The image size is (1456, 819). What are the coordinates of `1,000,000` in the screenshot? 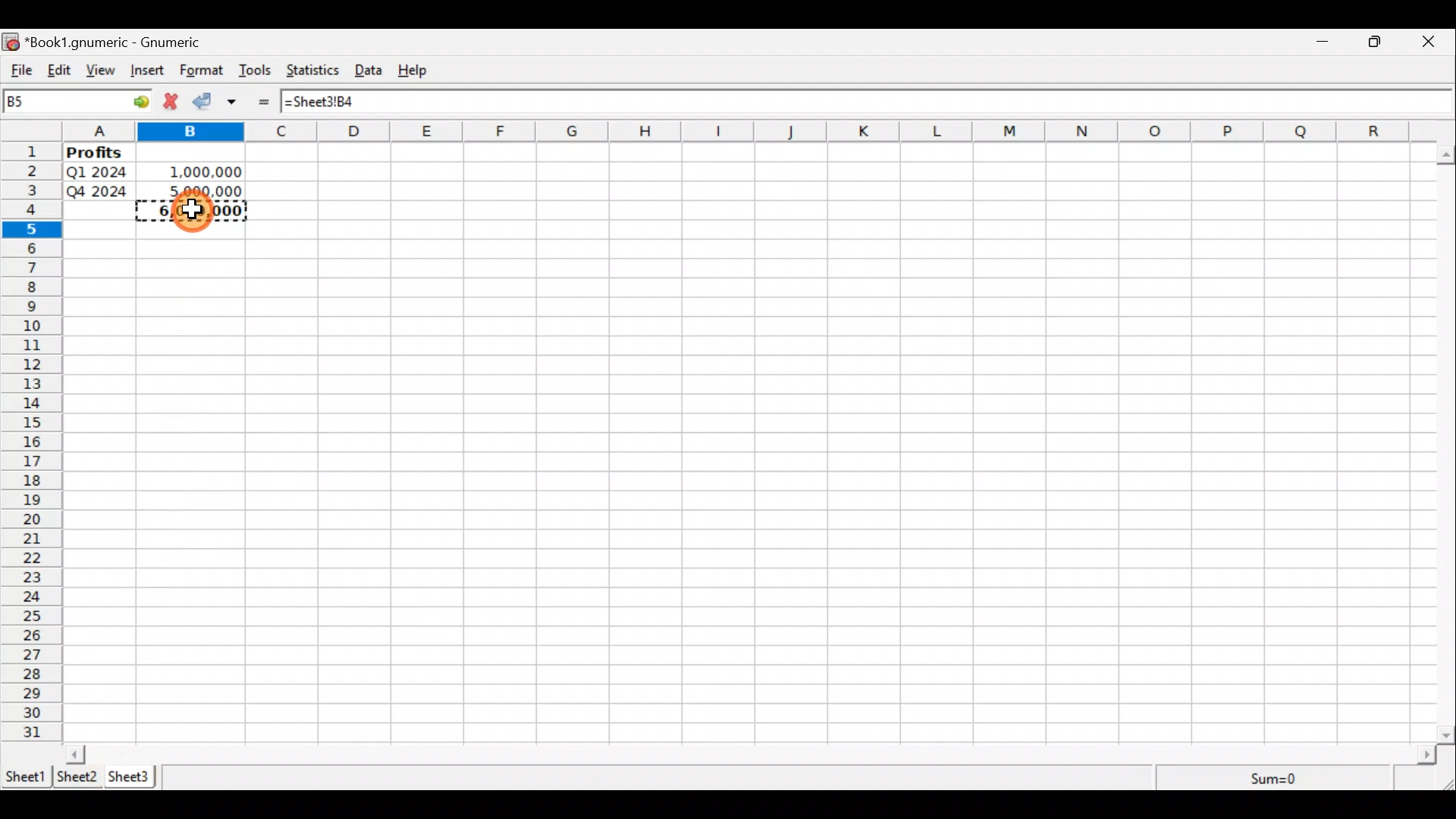 It's located at (196, 169).